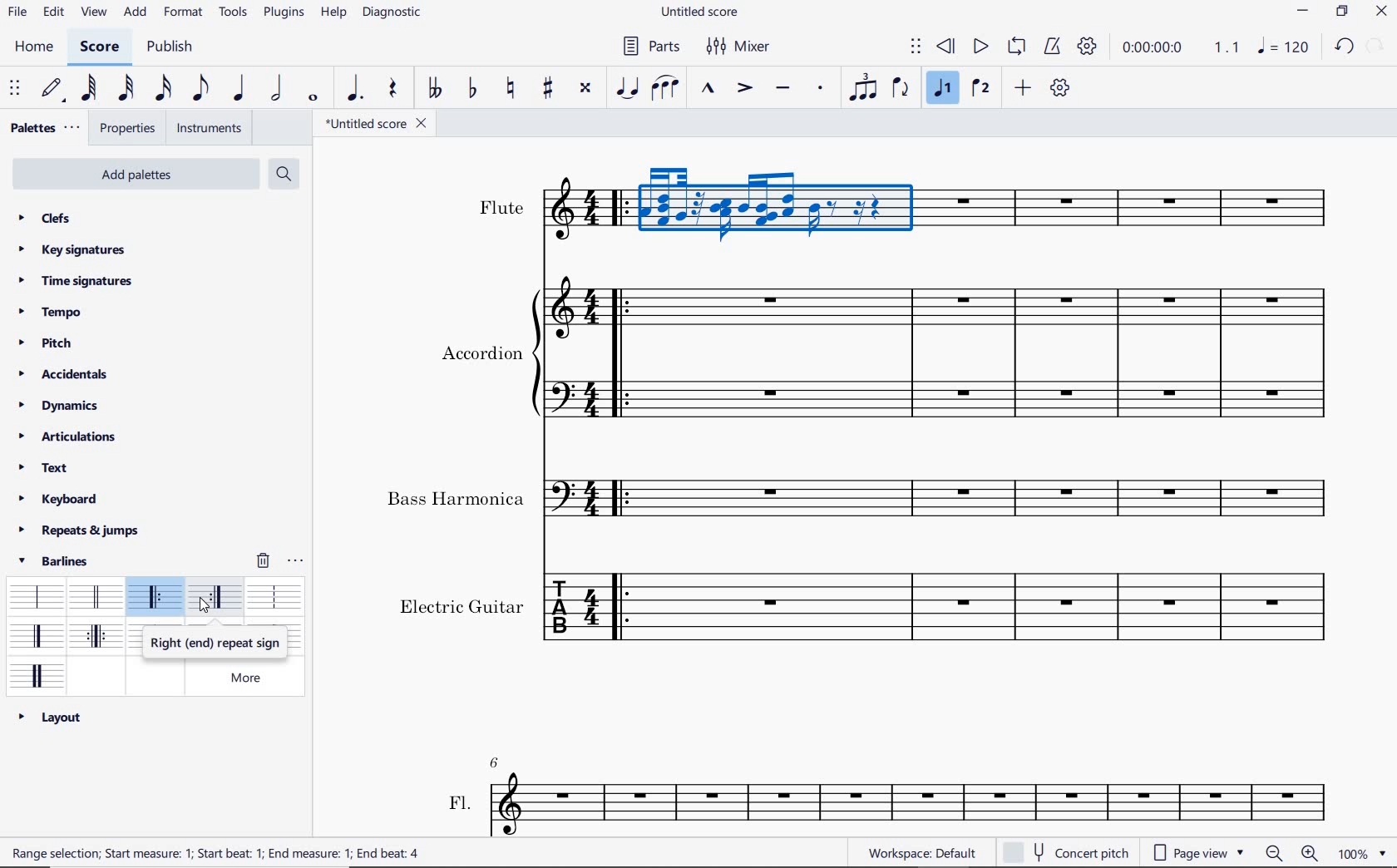  Describe the element at coordinates (707, 89) in the screenshot. I see `marcato` at that location.